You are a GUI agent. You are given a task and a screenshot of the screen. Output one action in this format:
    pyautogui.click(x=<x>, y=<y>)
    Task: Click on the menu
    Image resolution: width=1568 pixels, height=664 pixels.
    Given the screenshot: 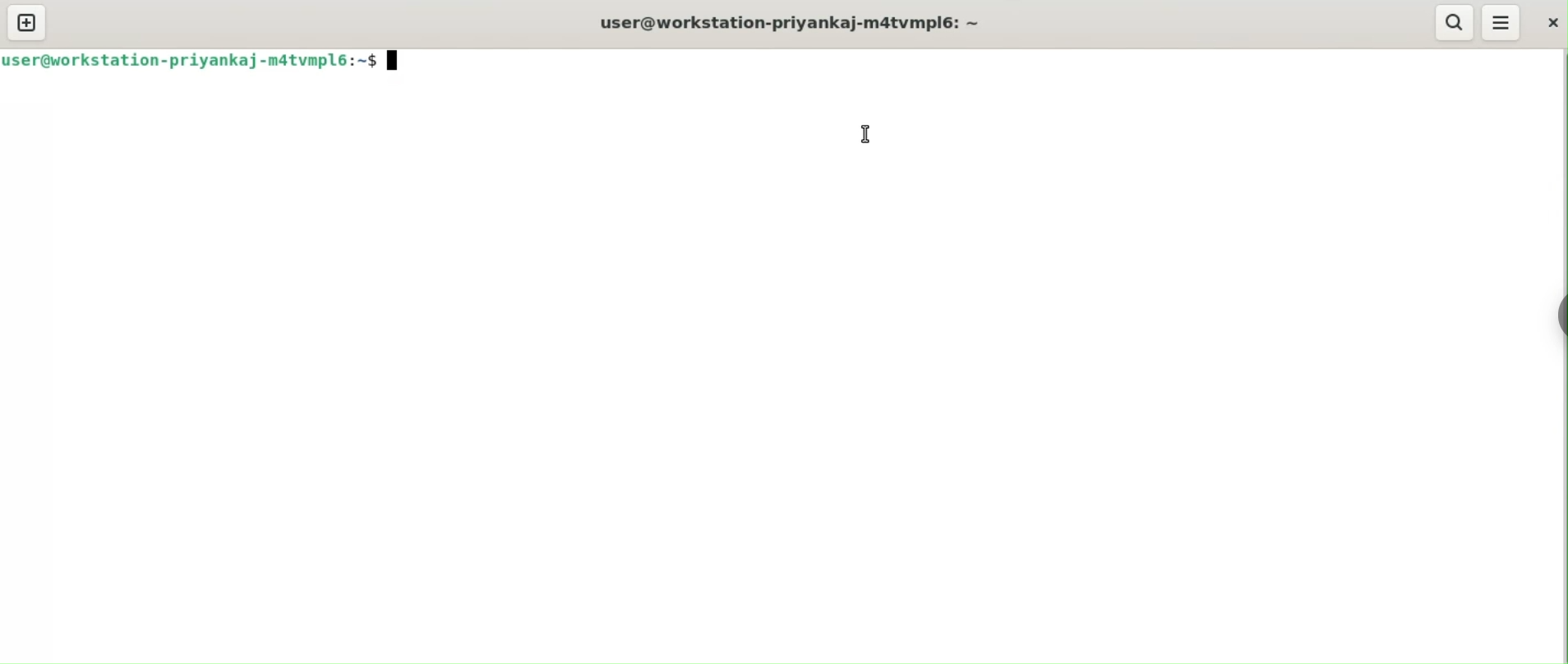 What is the action you would take?
    pyautogui.click(x=1500, y=21)
    